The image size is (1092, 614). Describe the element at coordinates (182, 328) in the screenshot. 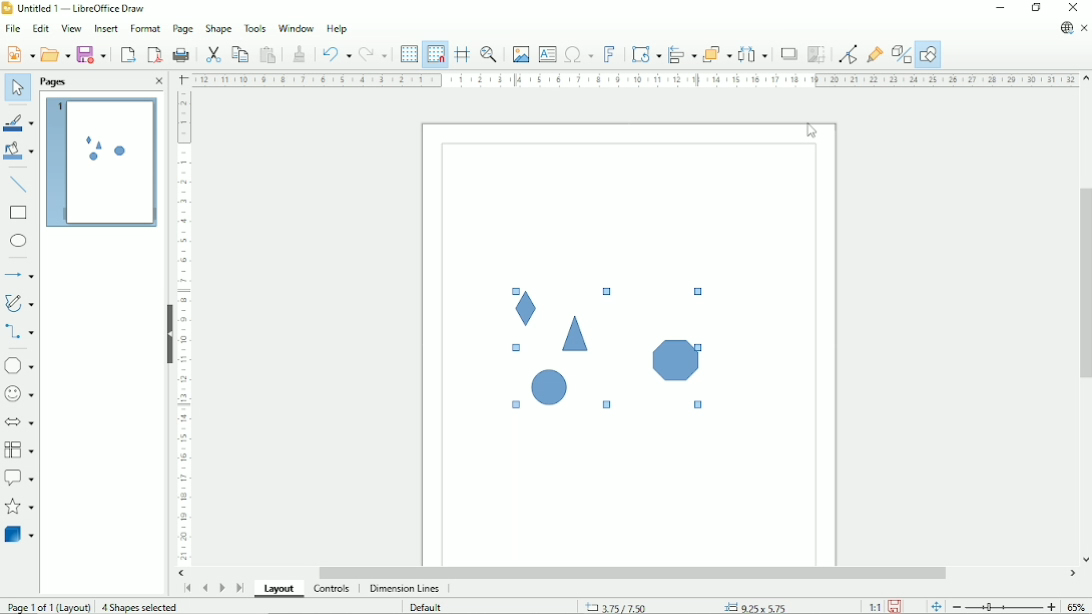

I see `Vertical scale` at that location.